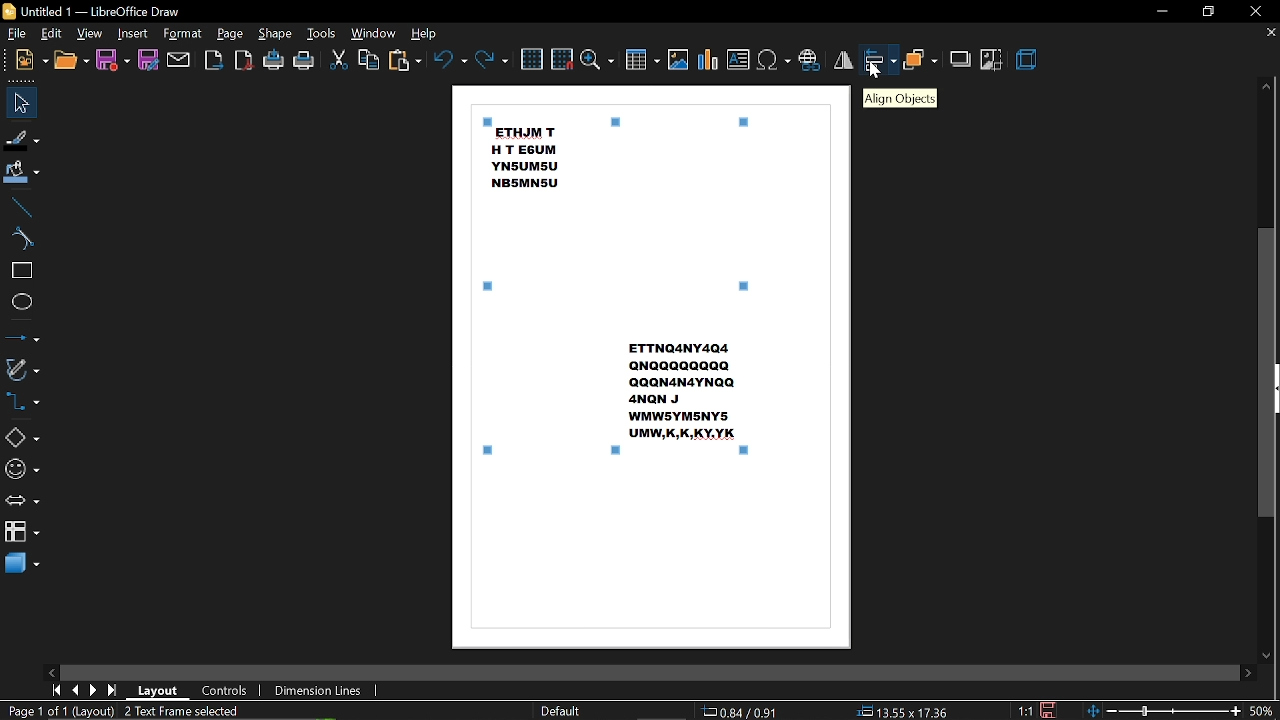 This screenshot has width=1280, height=720. Describe the element at coordinates (678, 60) in the screenshot. I see `insert image` at that location.